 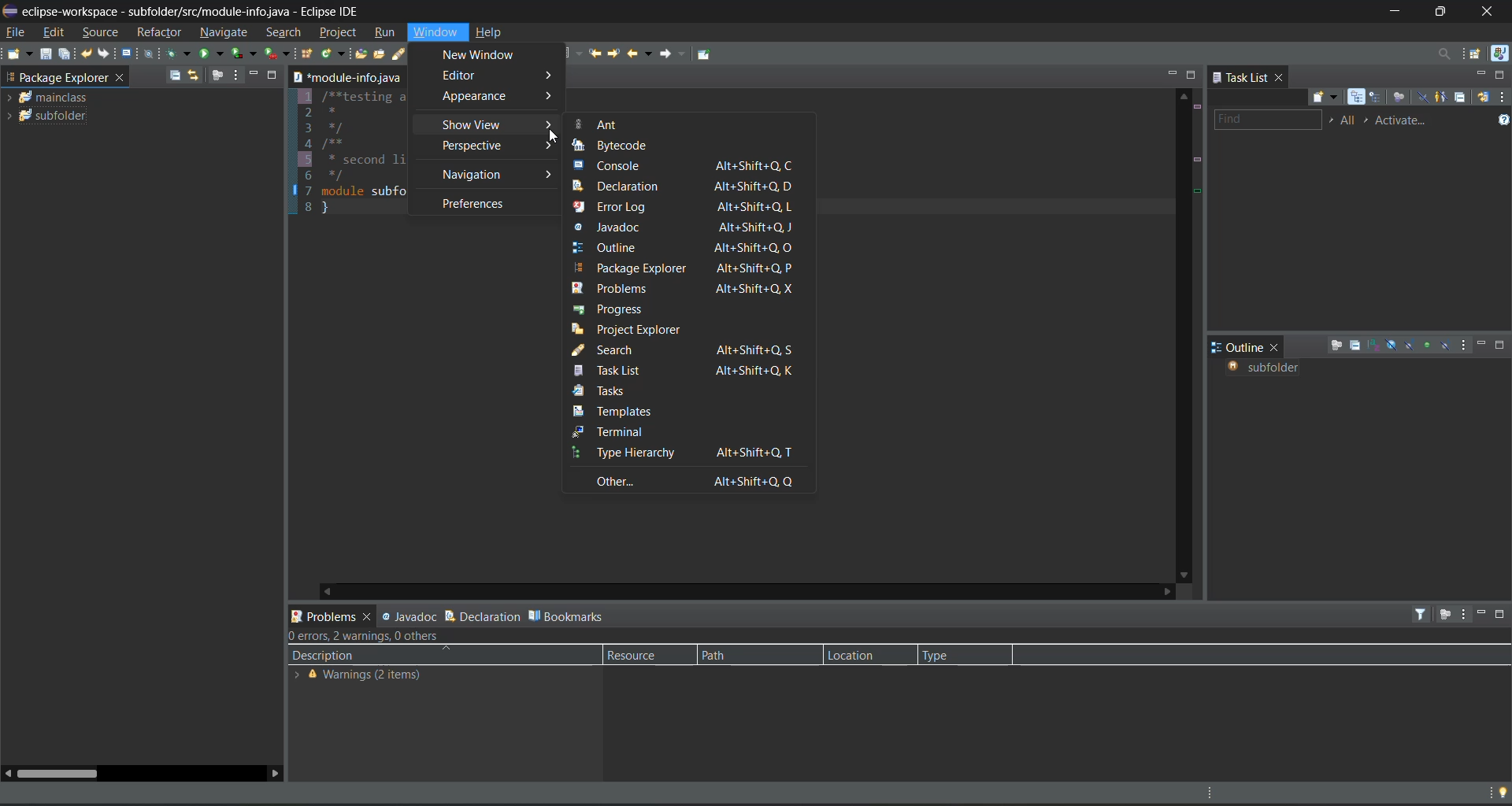 What do you see at coordinates (1336, 346) in the screenshot?
I see `focus on active task` at bounding box center [1336, 346].